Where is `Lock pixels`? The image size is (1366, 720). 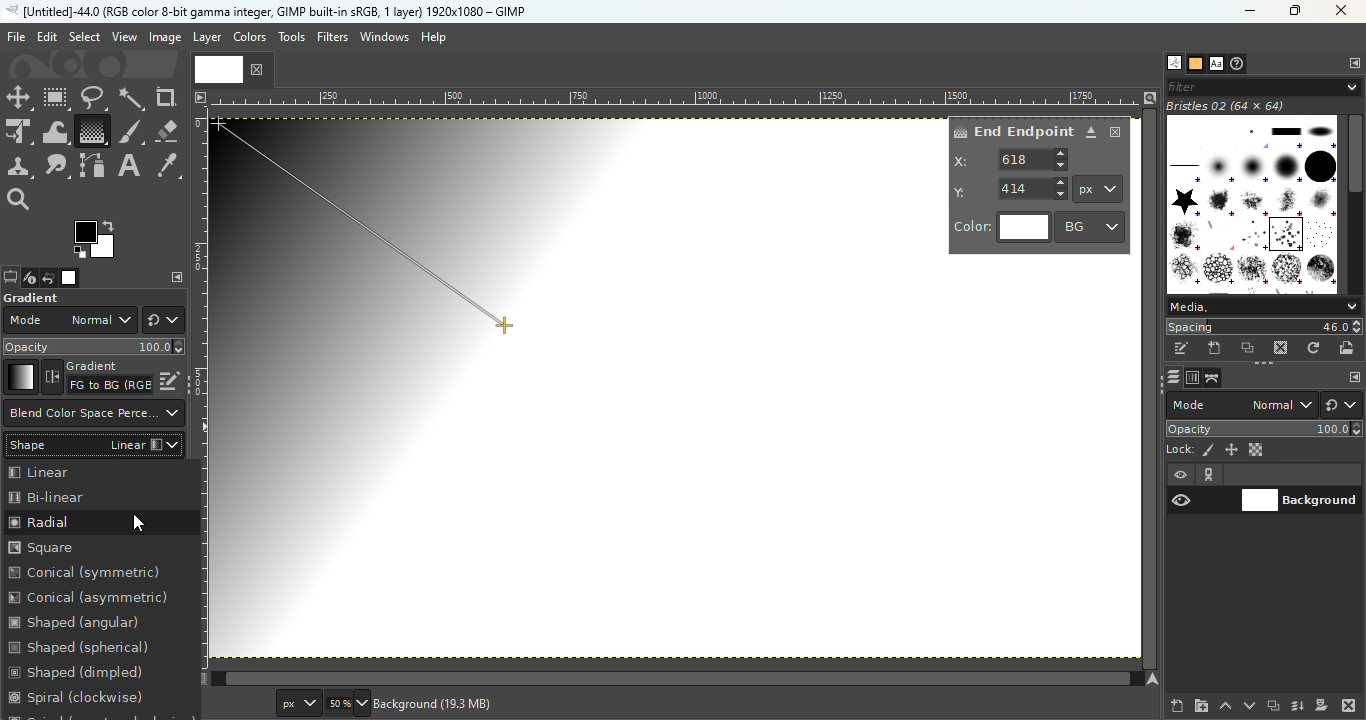 Lock pixels is located at coordinates (1190, 448).